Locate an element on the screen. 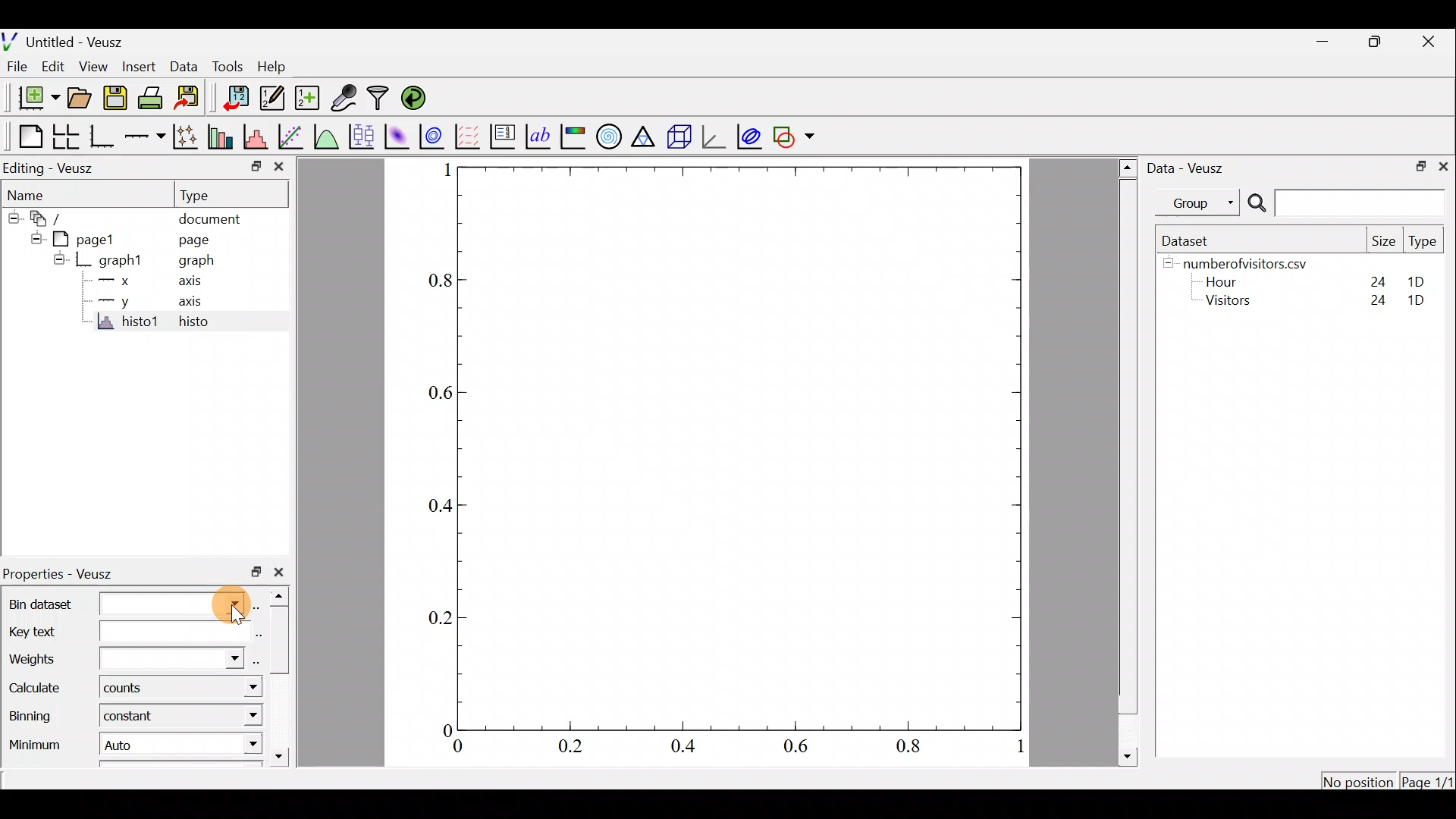  0 is located at coordinates (438, 731).